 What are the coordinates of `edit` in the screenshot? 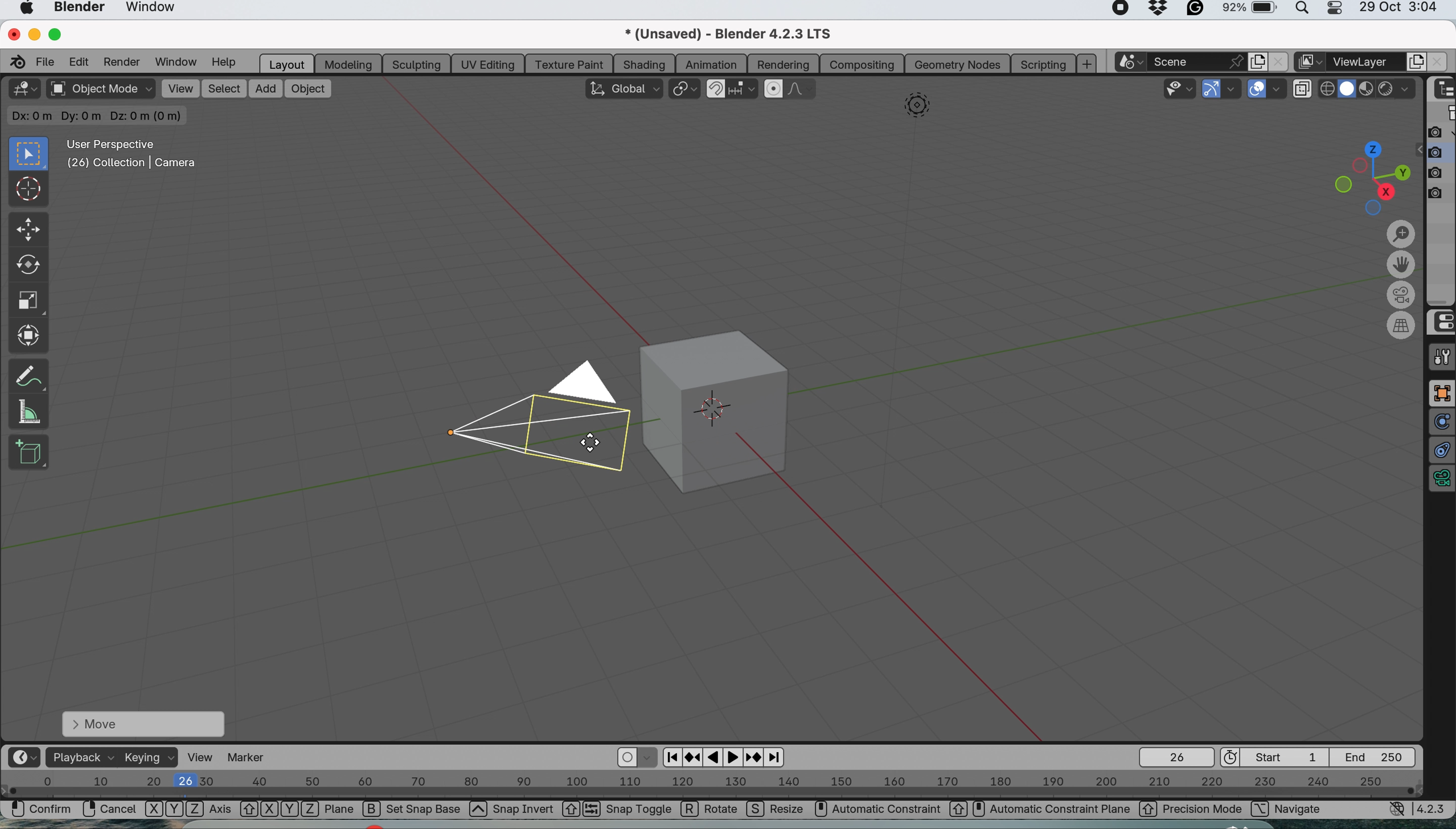 It's located at (81, 61).